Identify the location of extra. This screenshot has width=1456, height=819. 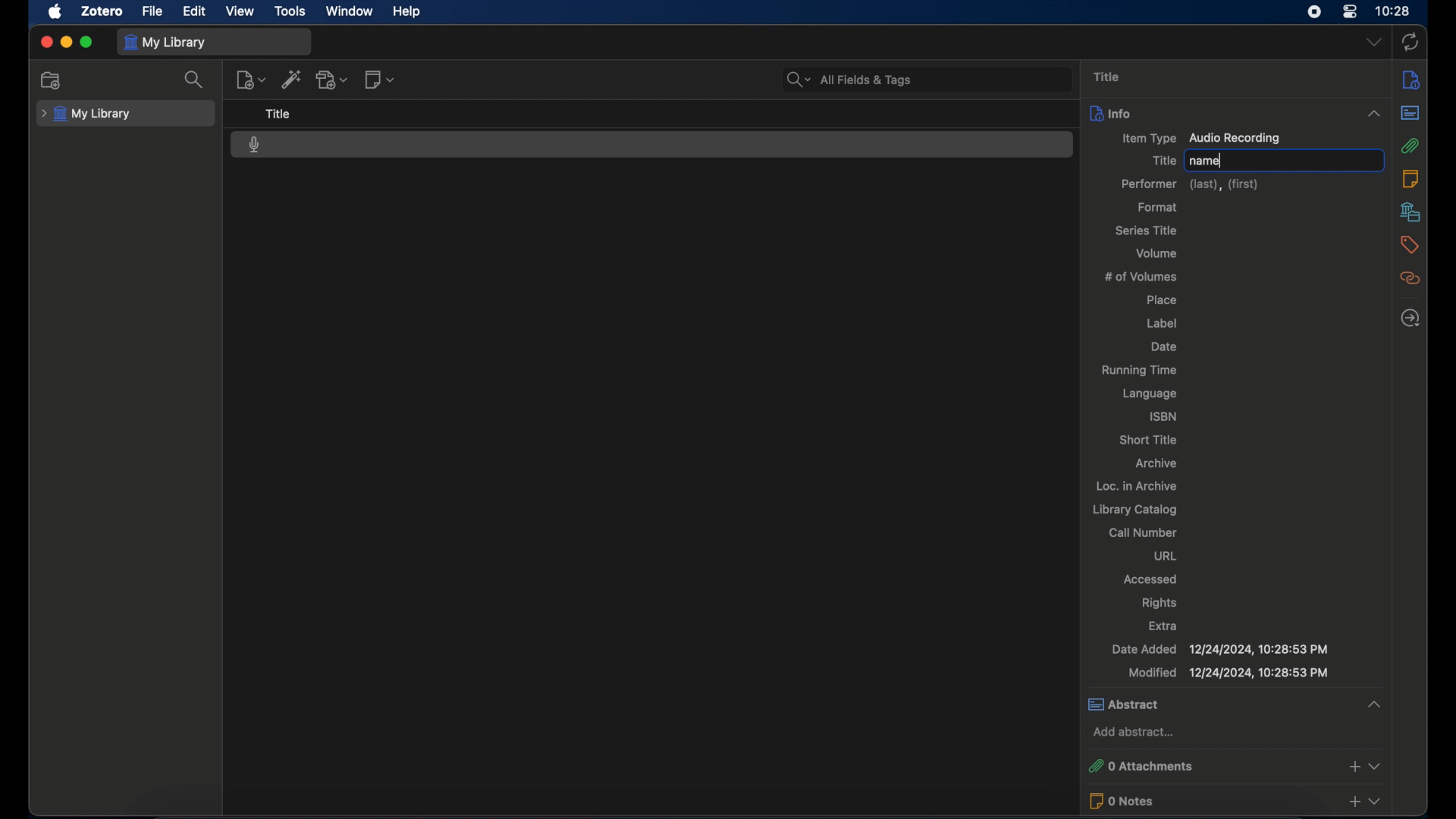
(1164, 626).